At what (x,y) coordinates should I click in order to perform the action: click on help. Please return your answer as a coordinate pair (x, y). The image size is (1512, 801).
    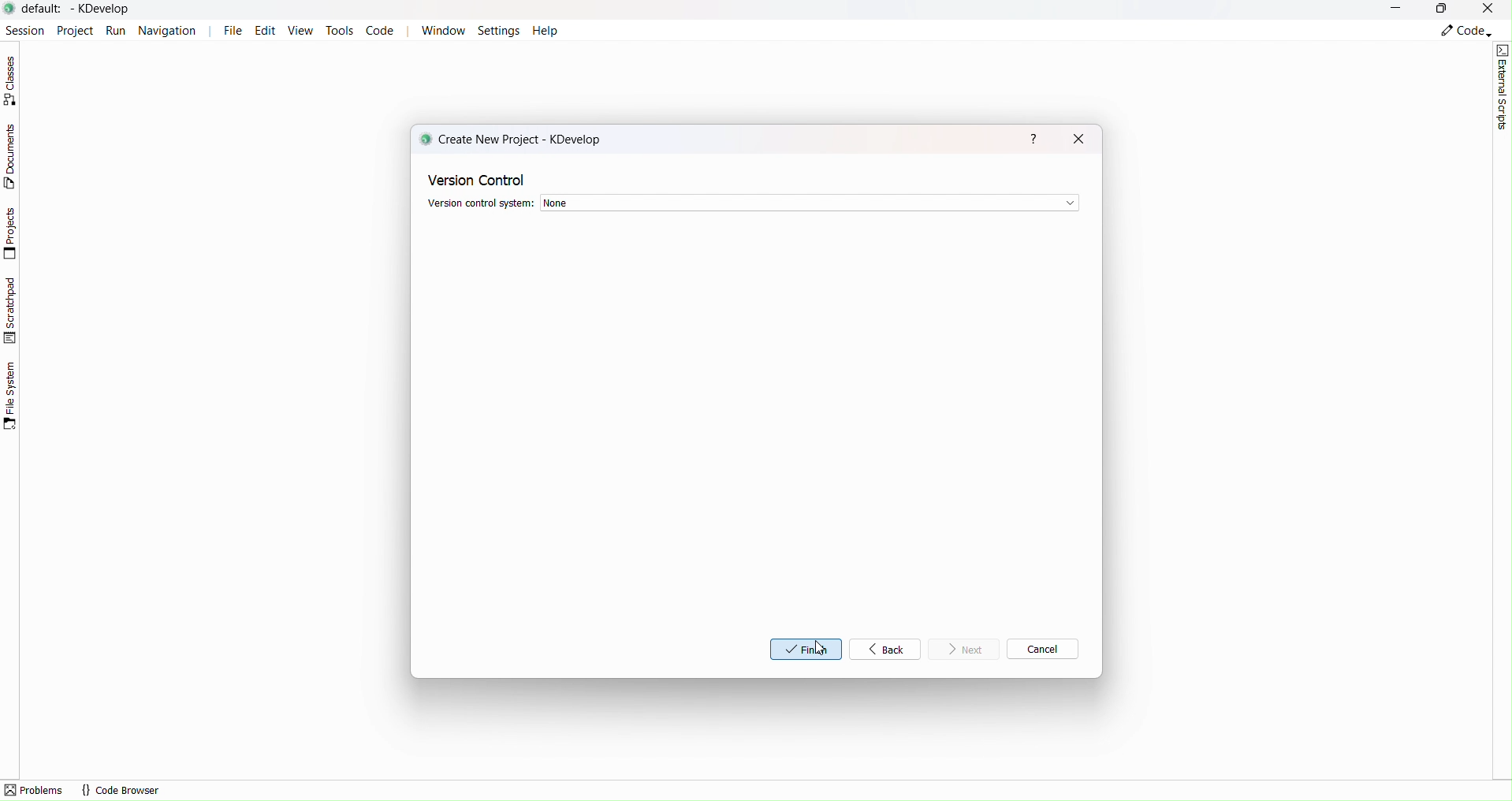
    Looking at the image, I should click on (1032, 138).